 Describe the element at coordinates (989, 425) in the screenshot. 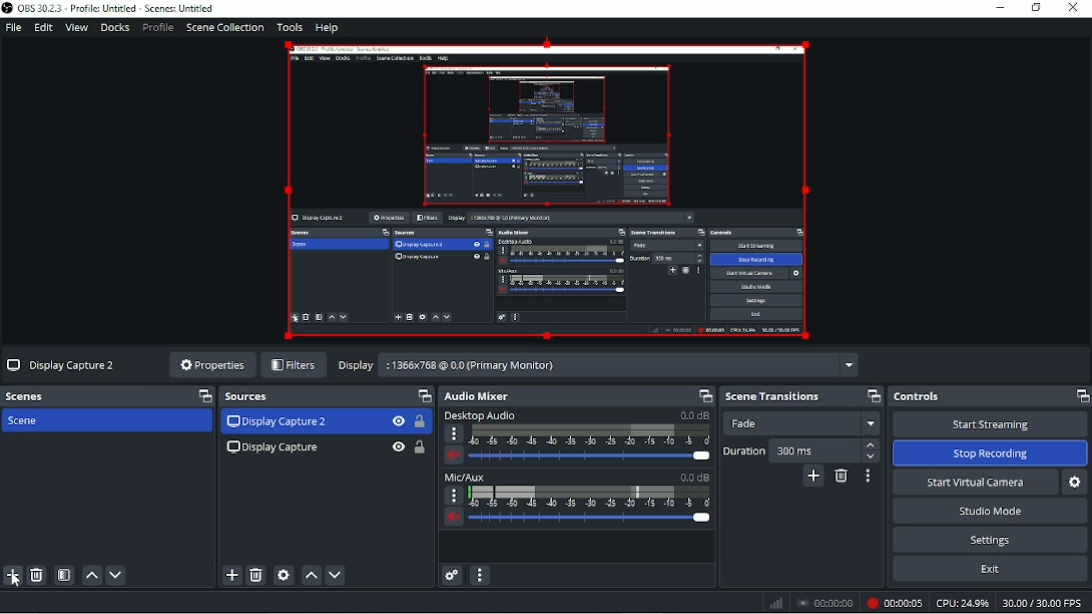

I see `Start Streaming` at that location.